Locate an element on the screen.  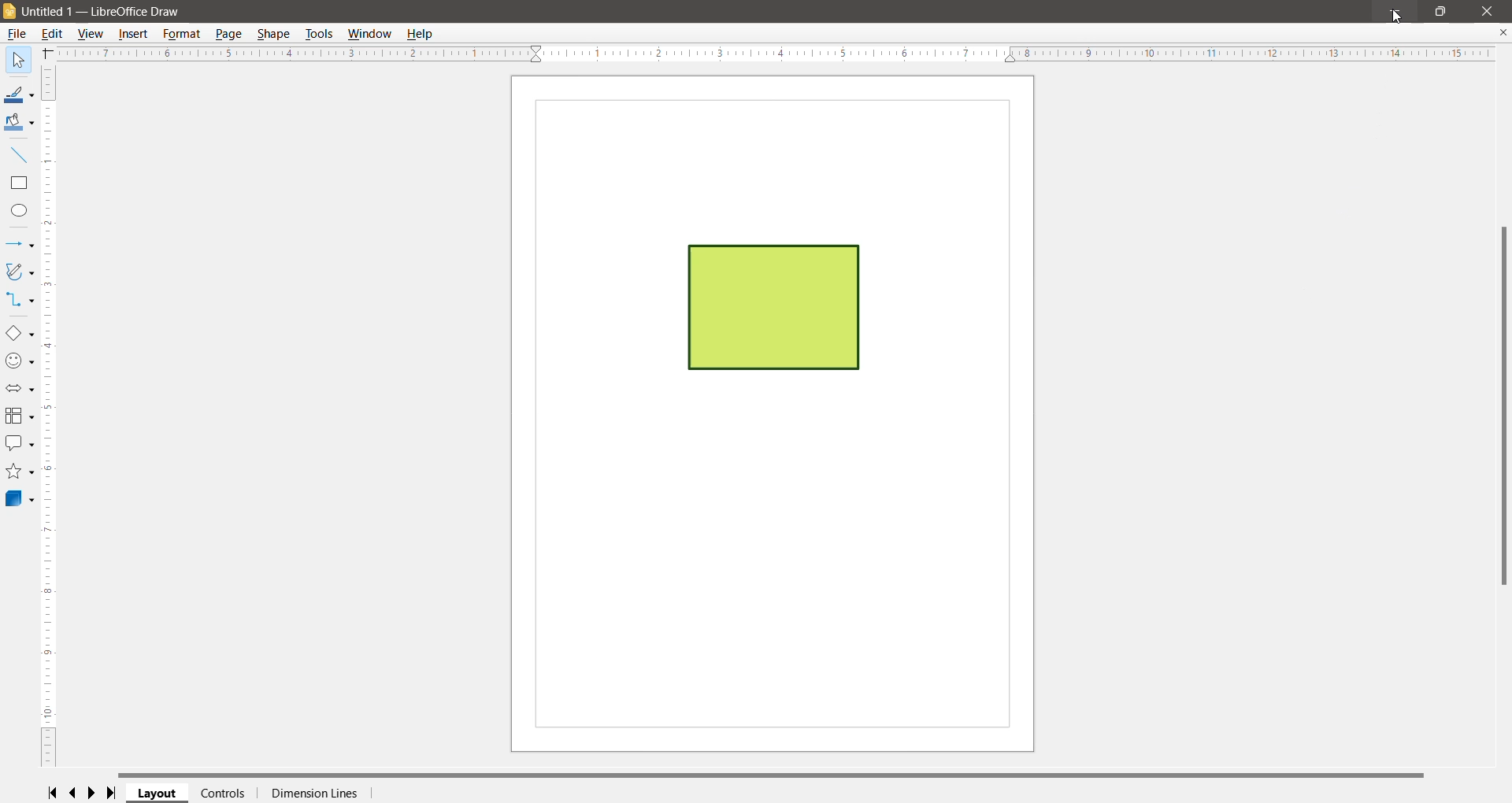
Horizontal Scroll Bar is located at coordinates (780, 774).